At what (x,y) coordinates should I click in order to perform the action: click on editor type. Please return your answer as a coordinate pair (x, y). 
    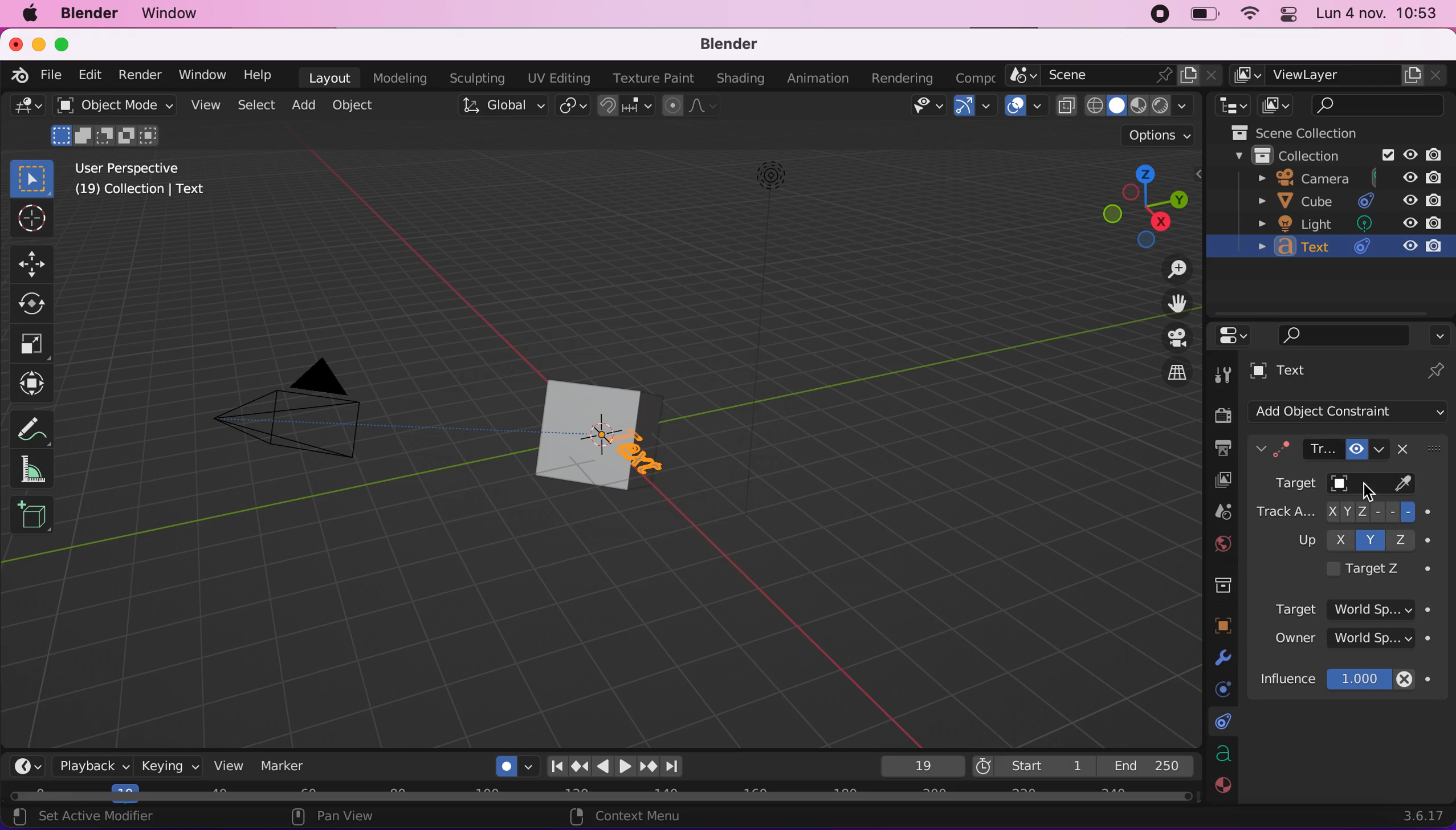
    Looking at the image, I should click on (1238, 335).